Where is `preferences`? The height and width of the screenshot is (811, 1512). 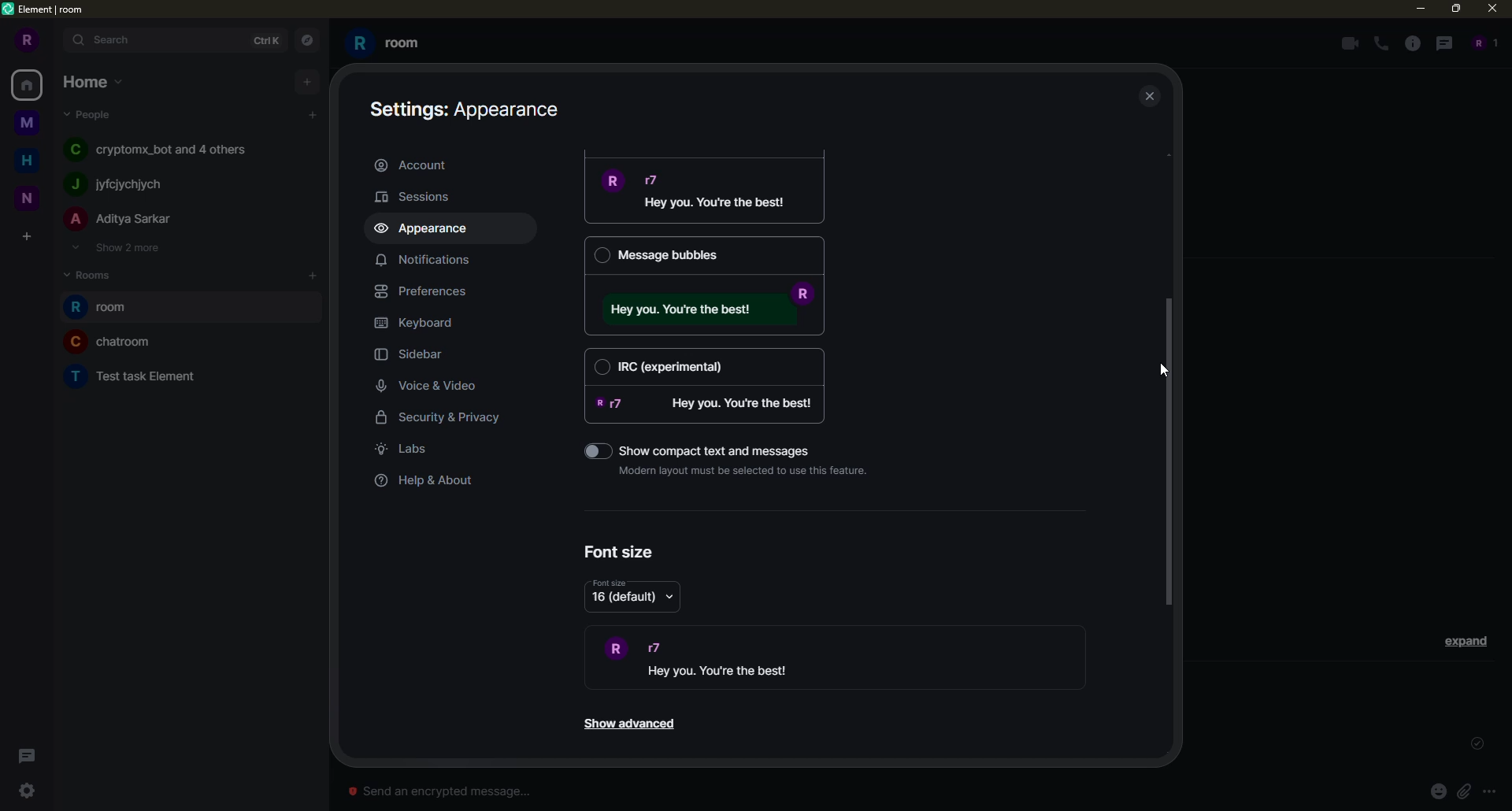 preferences is located at coordinates (428, 291).